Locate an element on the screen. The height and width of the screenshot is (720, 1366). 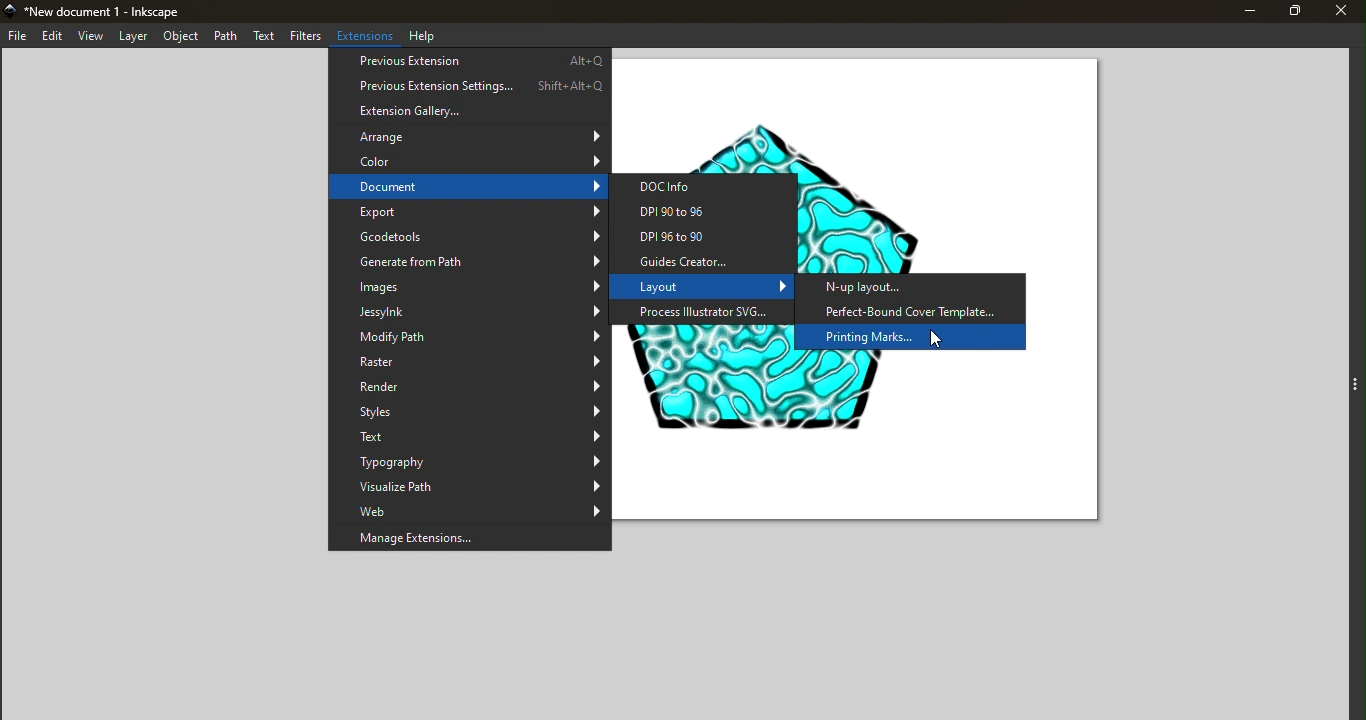
cursor is located at coordinates (932, 340).